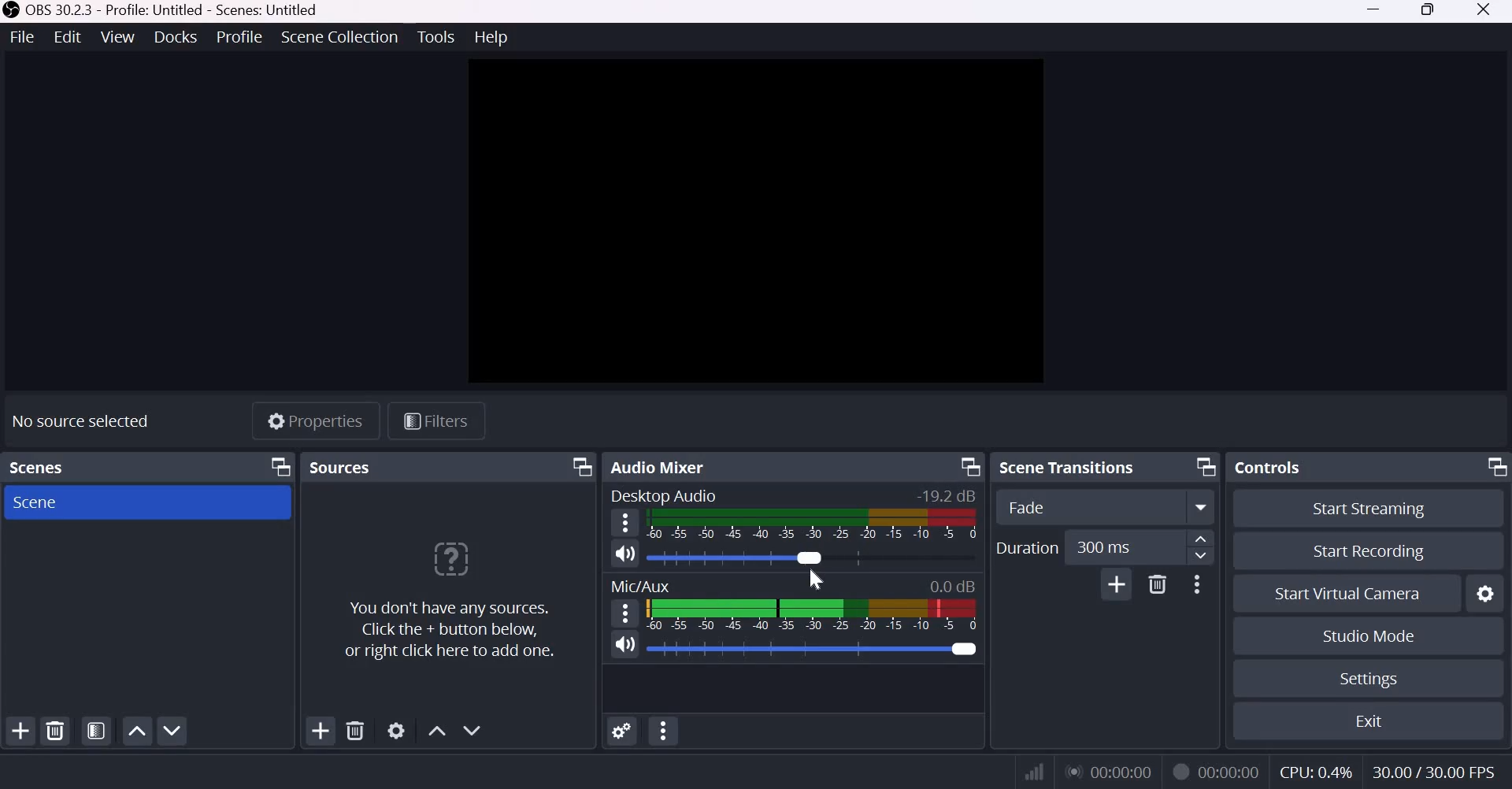  What do you see at coordinates (80, 420) in the screenshot?
I see `No source selected` at bounding box center [80, 420].